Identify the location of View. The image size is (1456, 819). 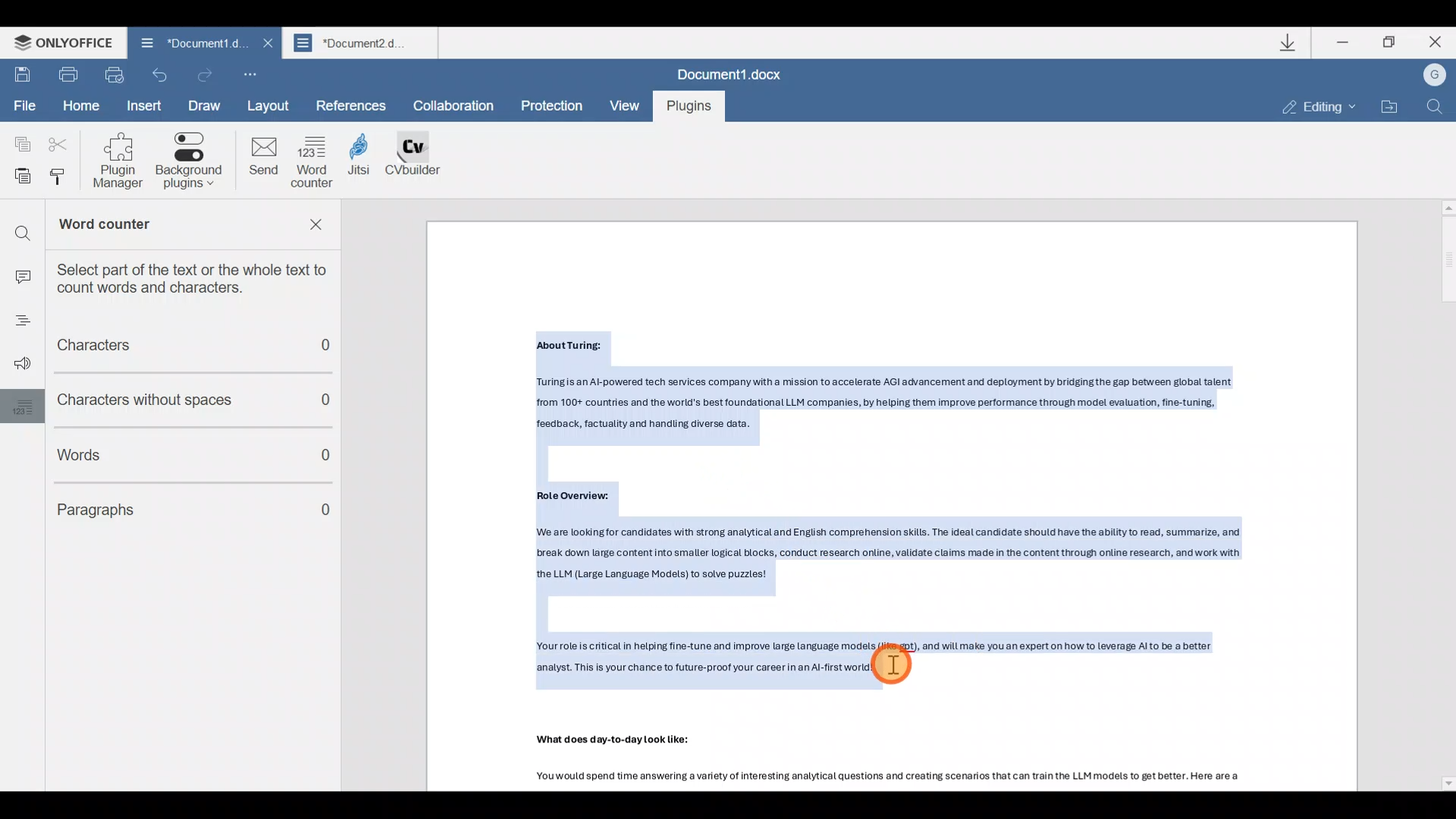
(623, 106).